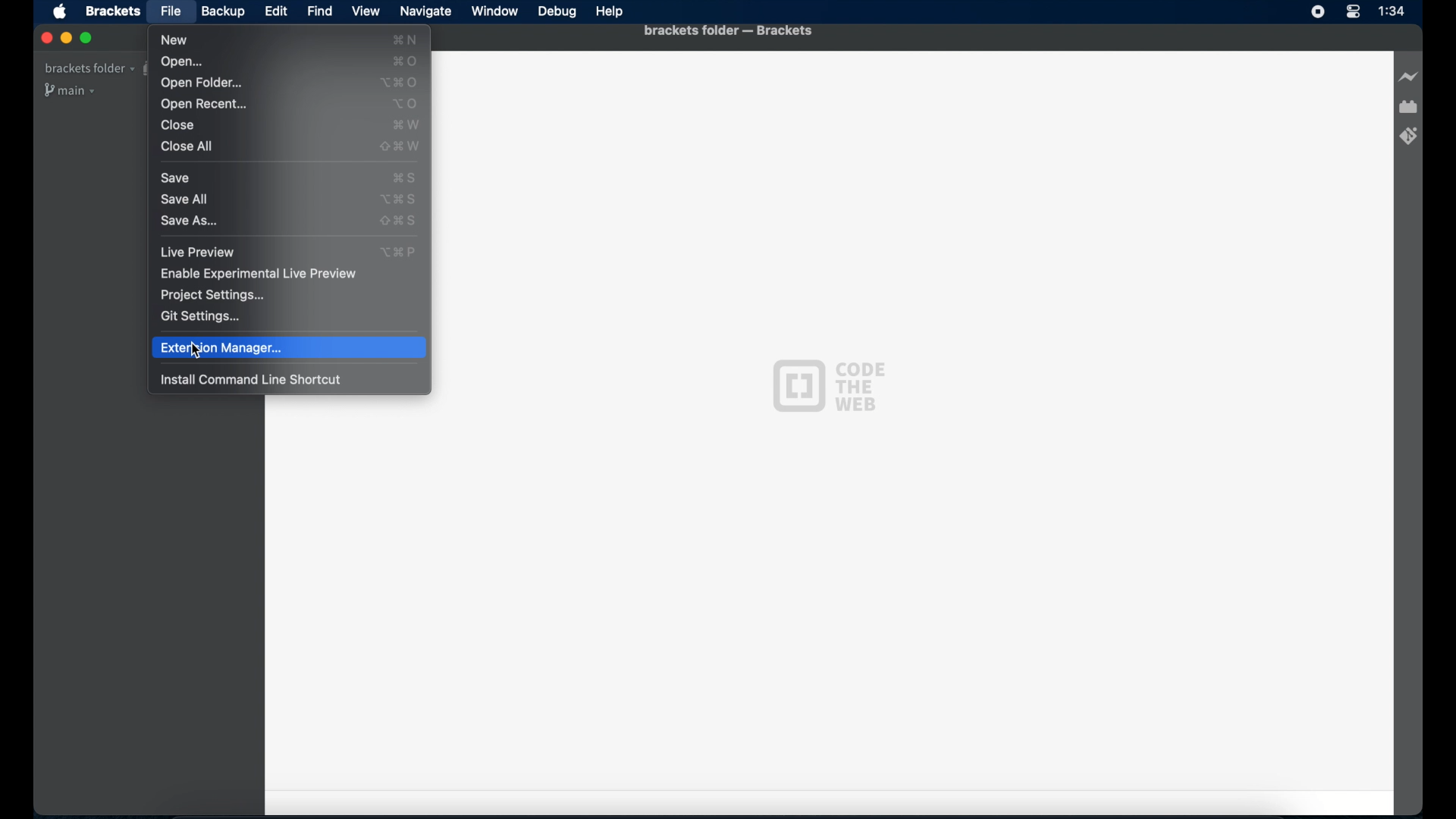 The height and width of the screenshot is (819, 1456). Describe the element at coordinates (196, 350) in the screenshot. I see `Cursor` at that location.